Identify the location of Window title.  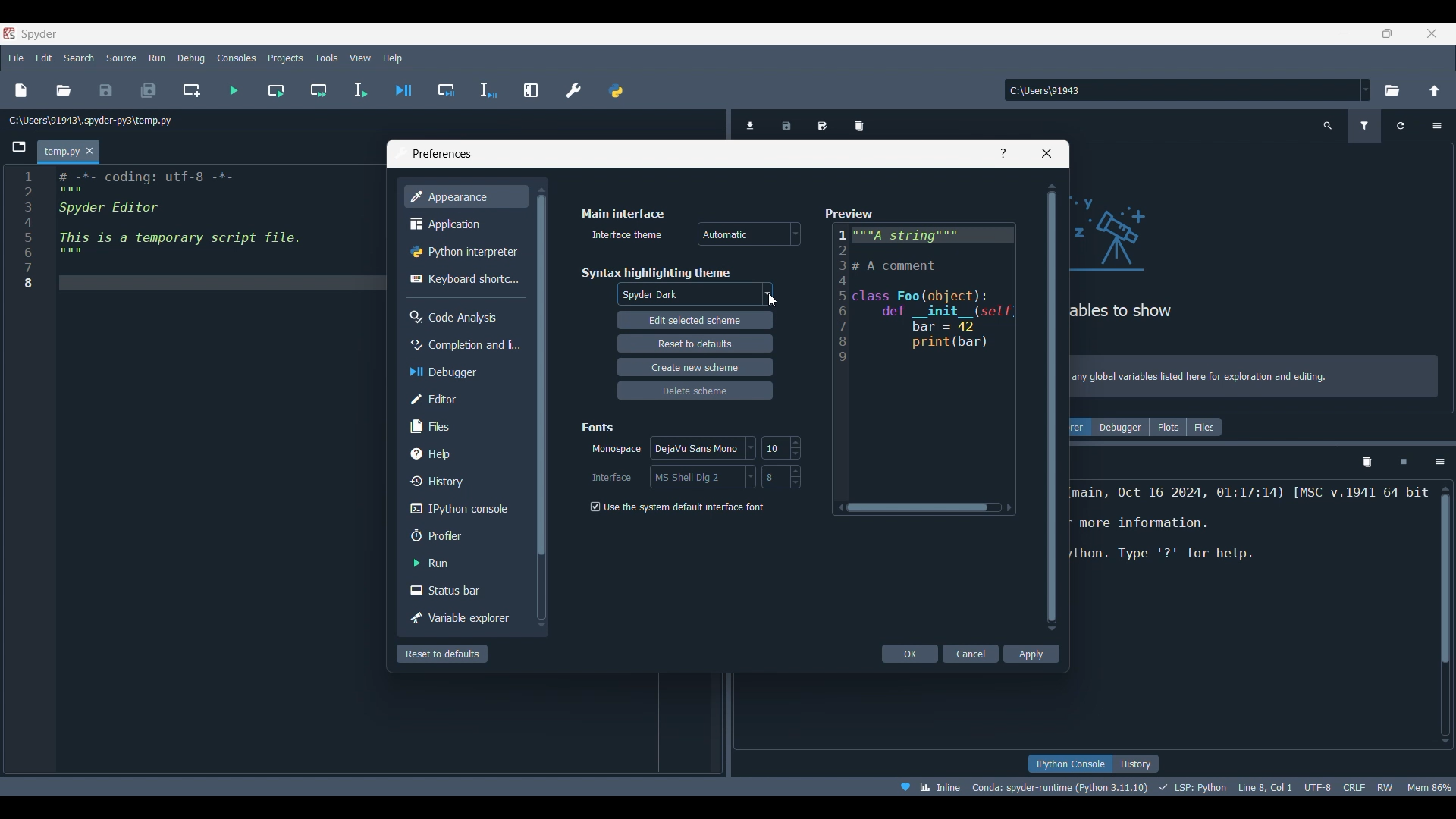
(442, 154).